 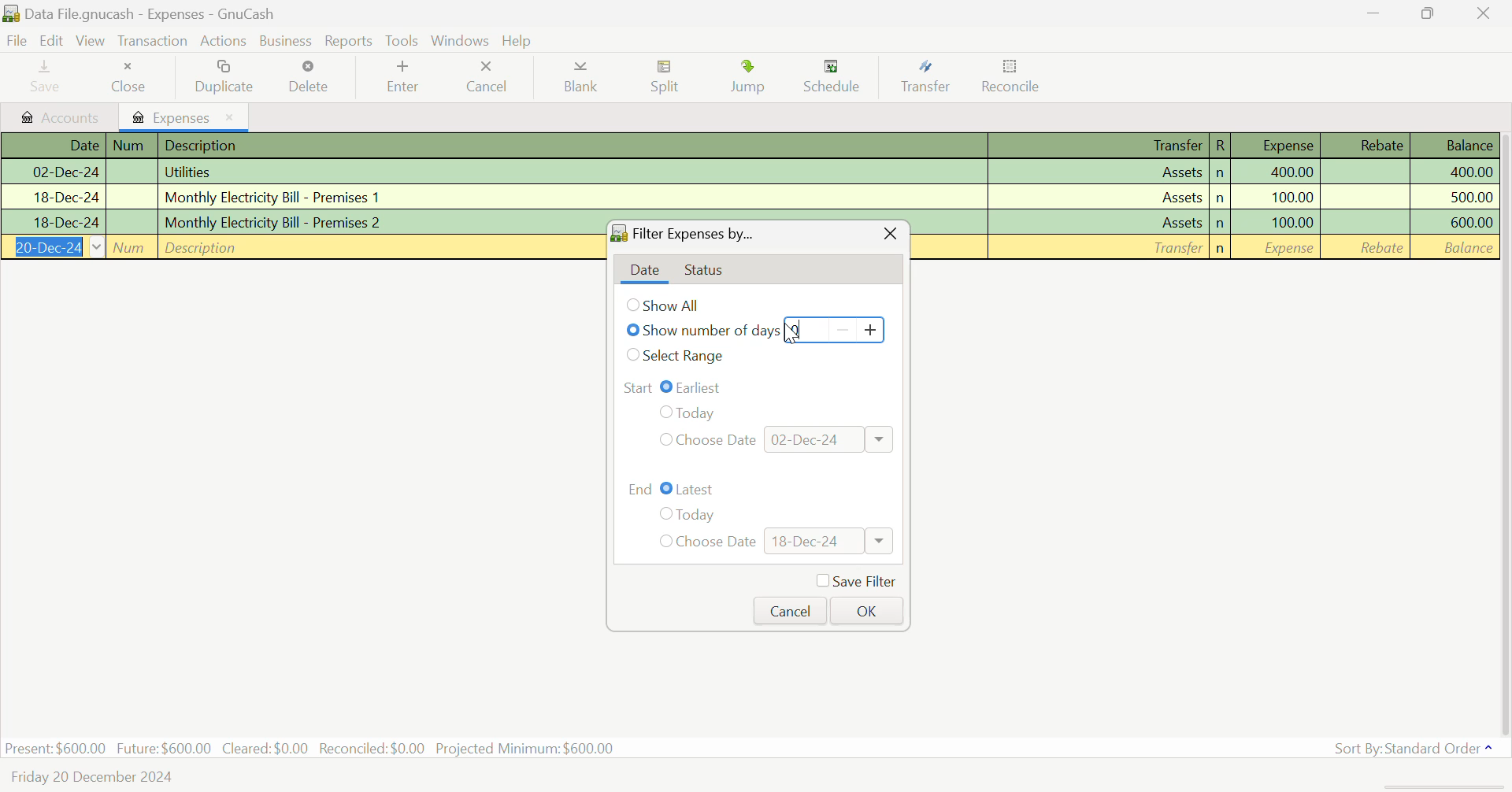 I want to click on Expenses Tab Open, so click(x=185, y=116).